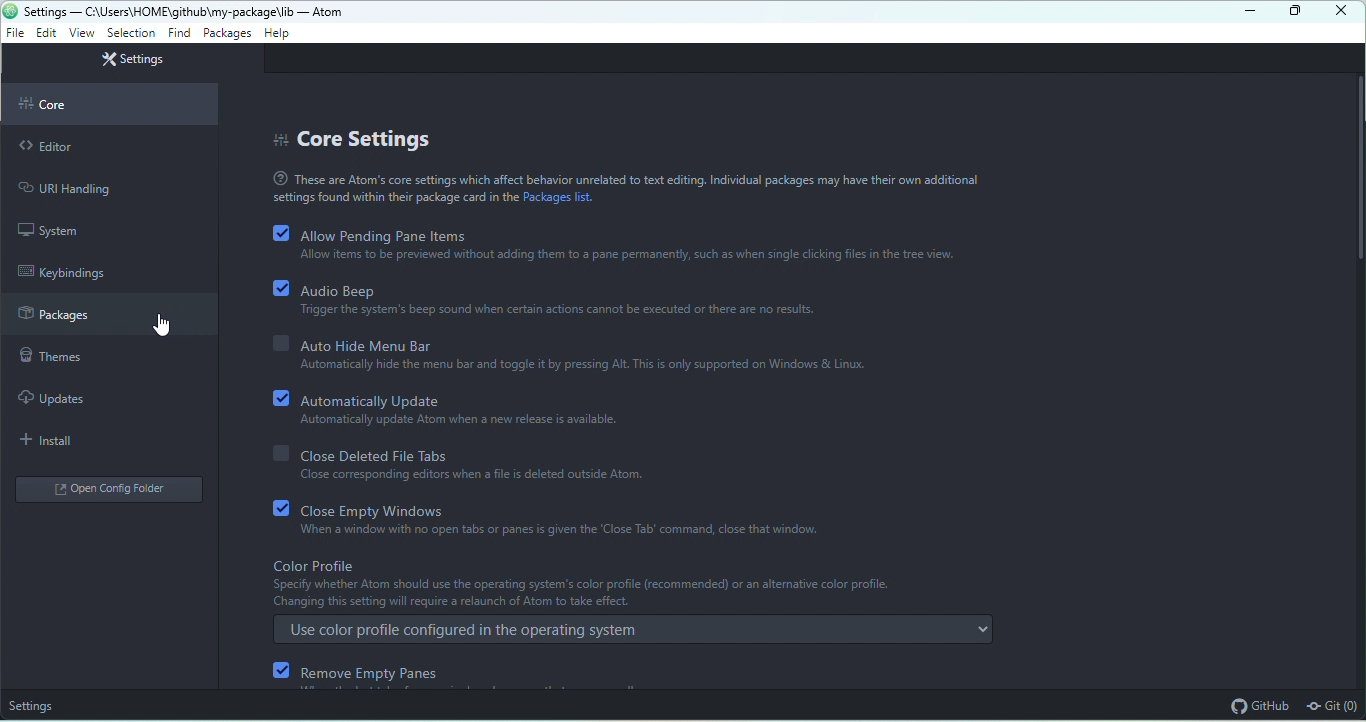 Image resolution: width=1366 pixels, height=722 pixels. I want to click on atom icon, so click(10, 10).